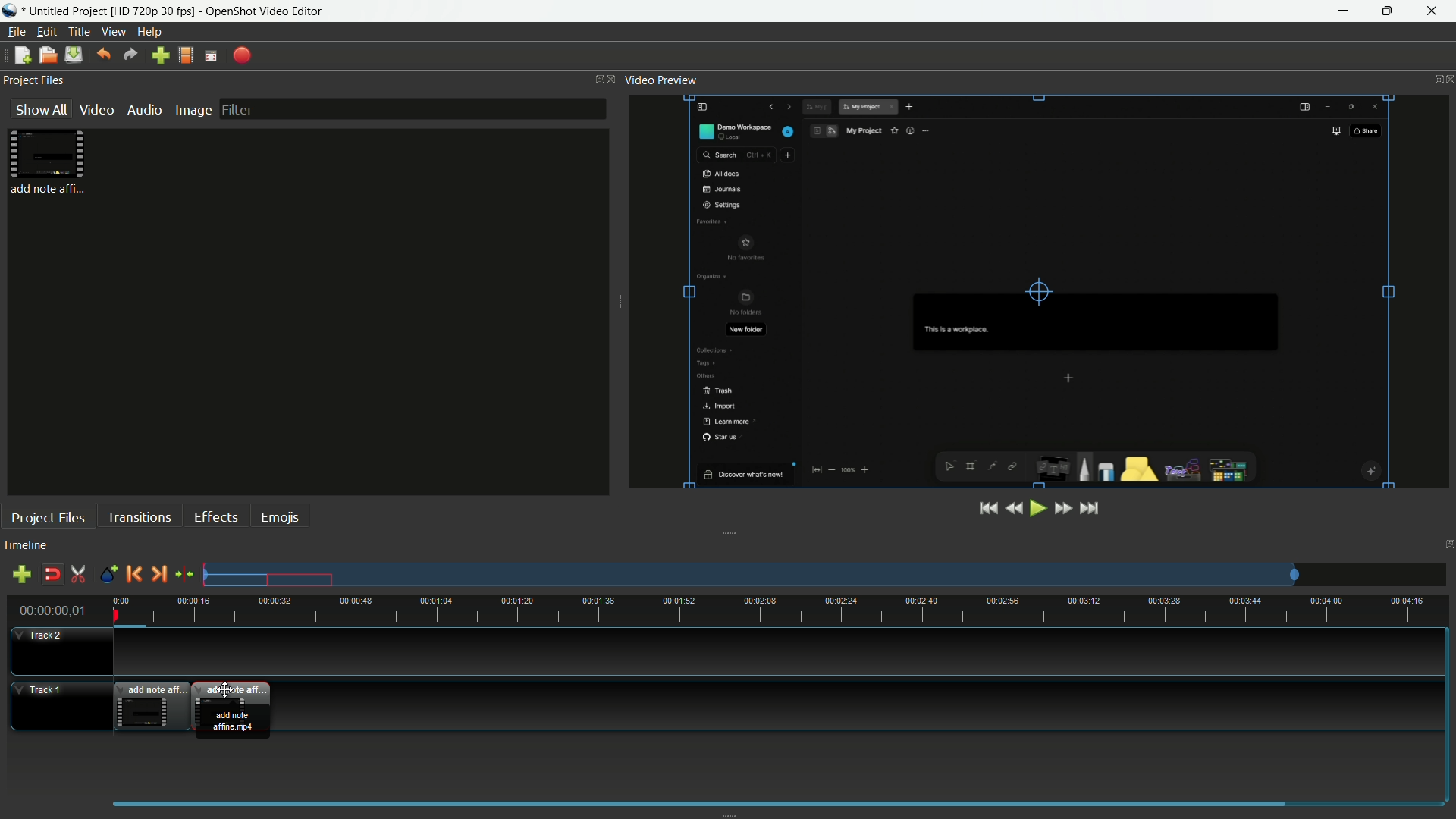 The image size is (1456, 819). What do you see at coordinates (17, 32) in the screenshot?
I see `file menu` at bounding box center [17, 32].